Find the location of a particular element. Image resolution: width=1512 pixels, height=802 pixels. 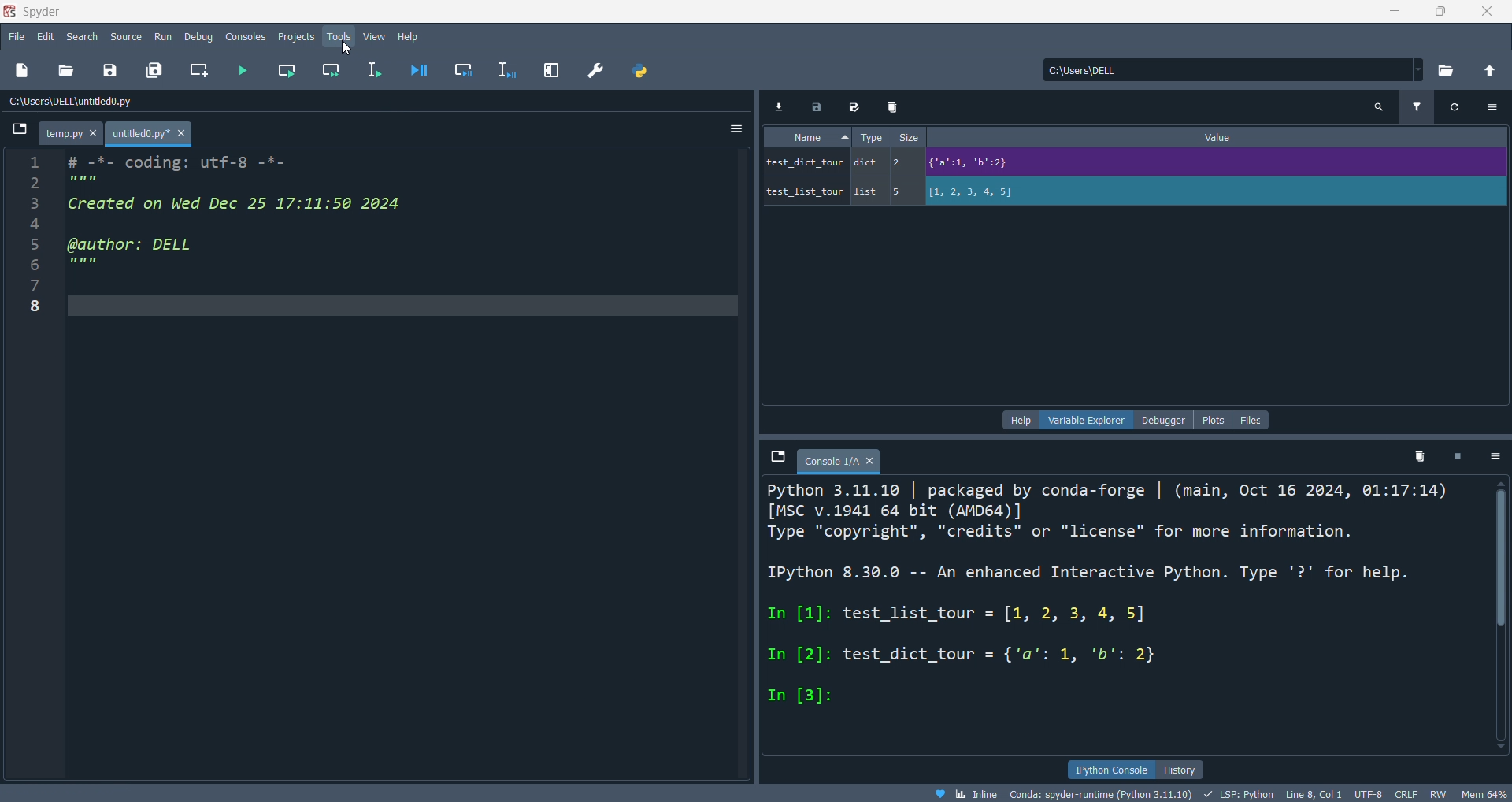

preference is located at coordinates (598, 70).